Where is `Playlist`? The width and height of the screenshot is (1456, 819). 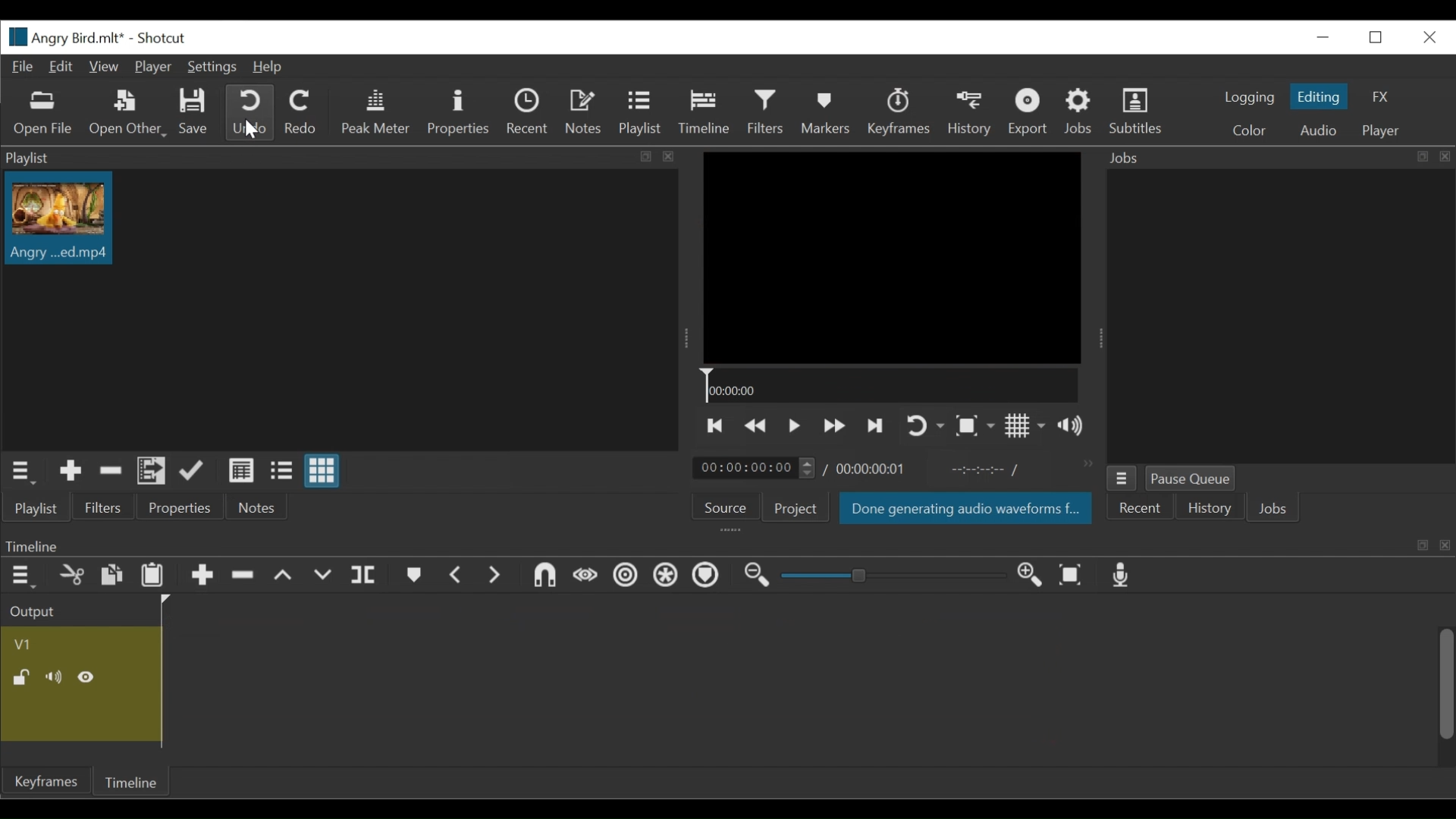 Playlist is located at coordinates (34, 508).